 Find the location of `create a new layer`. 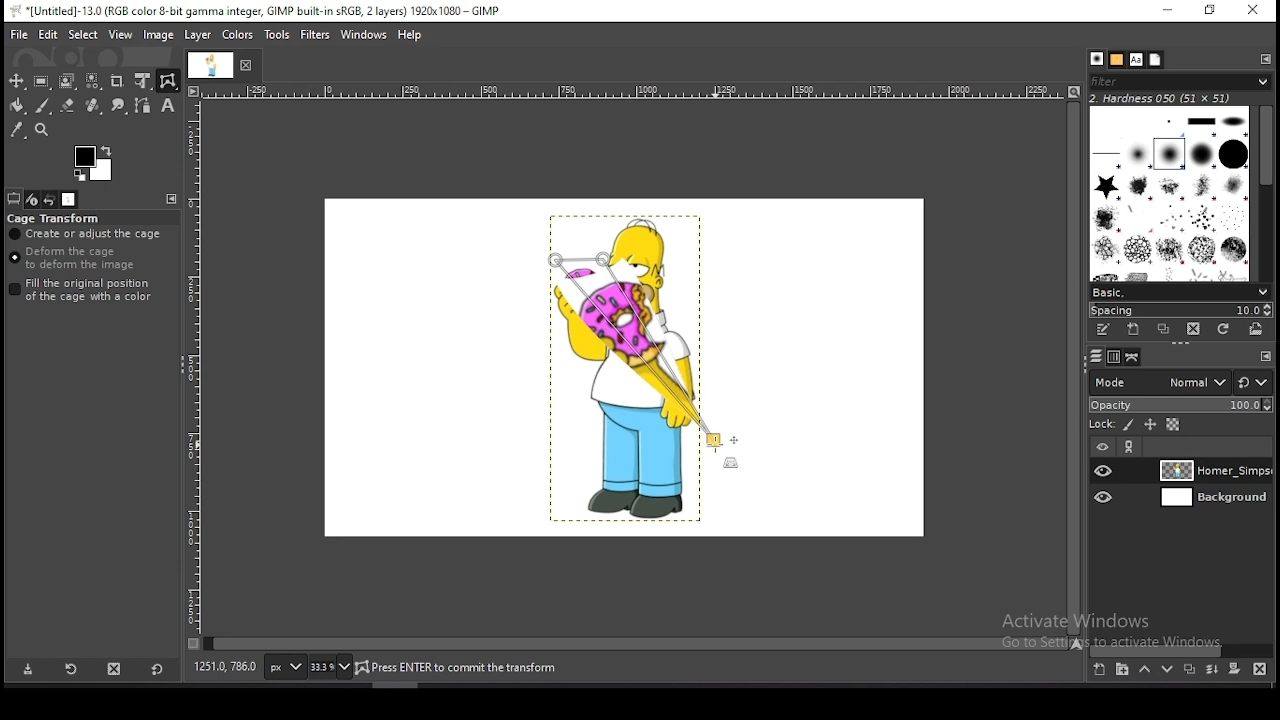

create a new layer is located at coordinates (1099, 670).